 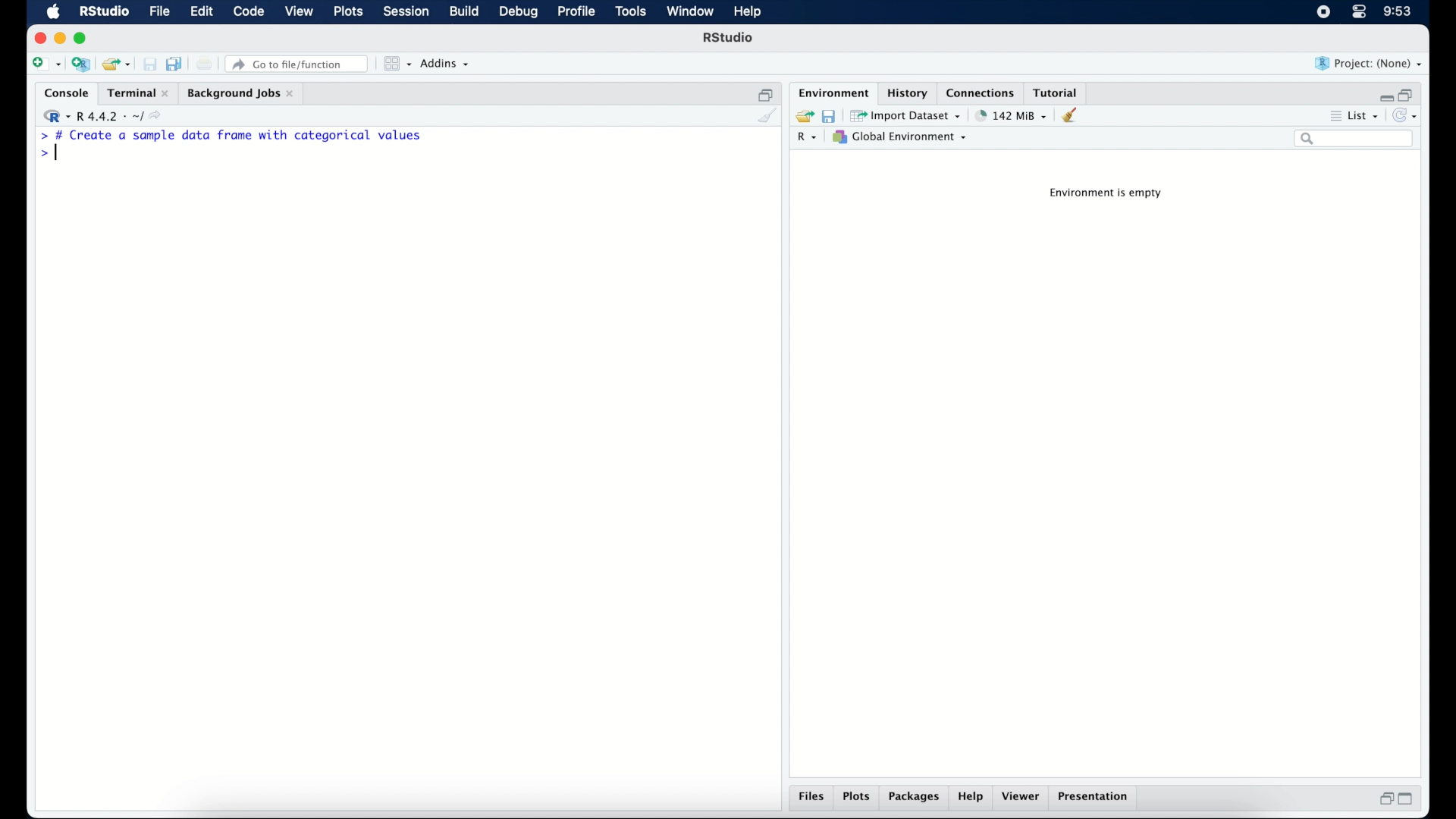 I want to click on restore down, so click(x=1410, y=93).